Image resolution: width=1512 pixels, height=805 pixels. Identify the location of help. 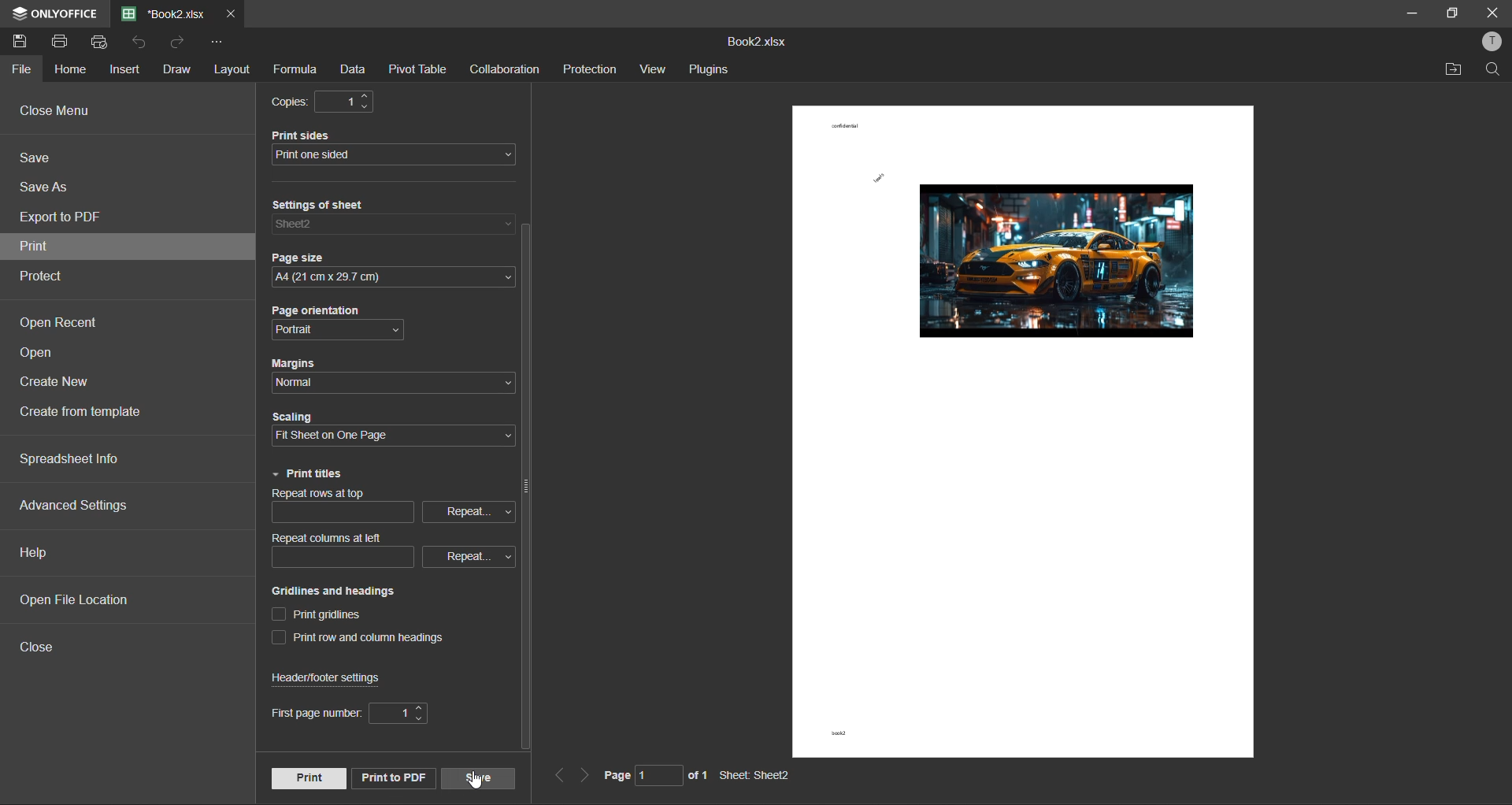
(39, 553).